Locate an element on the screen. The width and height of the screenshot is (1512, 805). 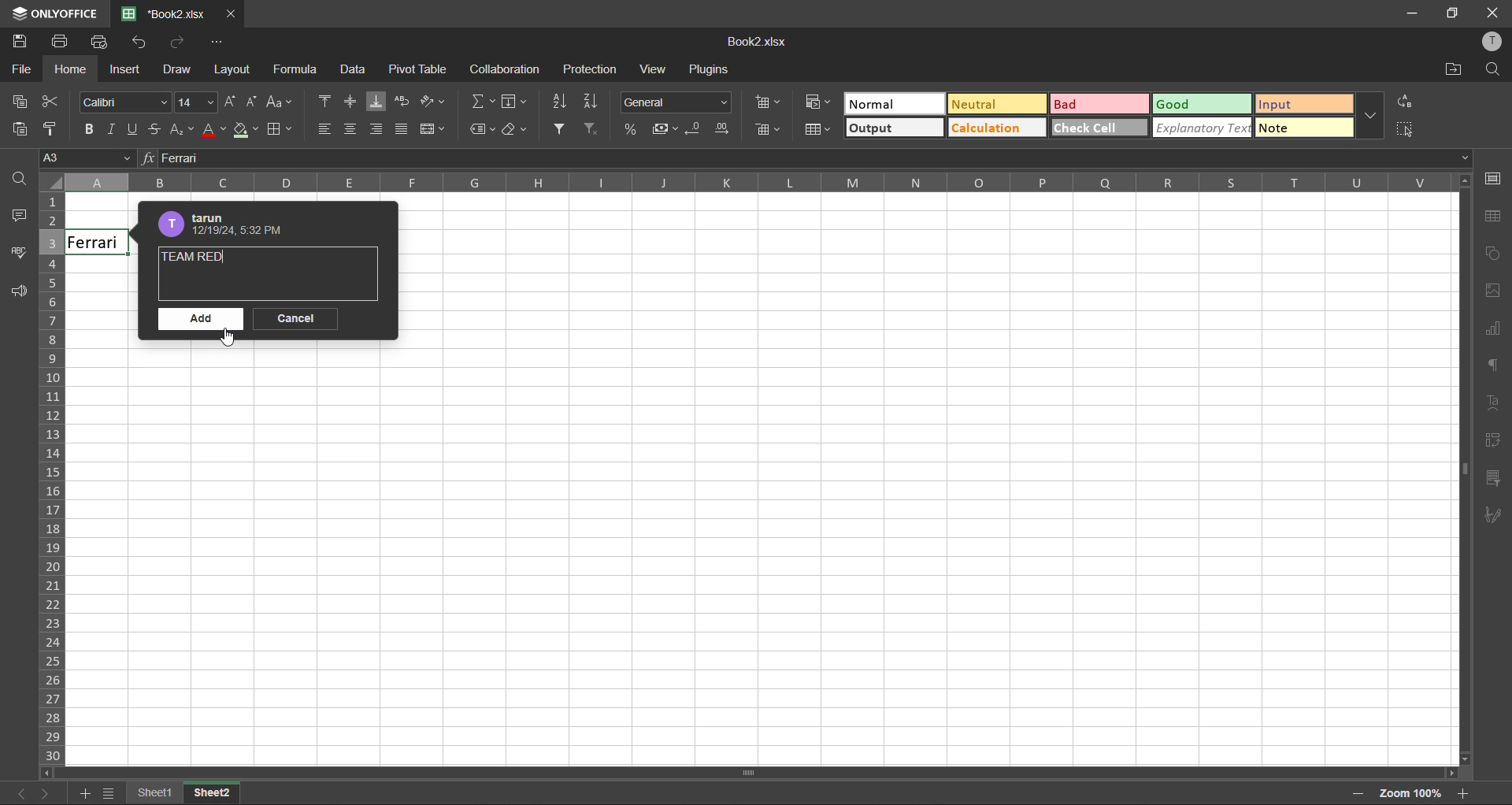
cell address is located at coordinates (85, 160).